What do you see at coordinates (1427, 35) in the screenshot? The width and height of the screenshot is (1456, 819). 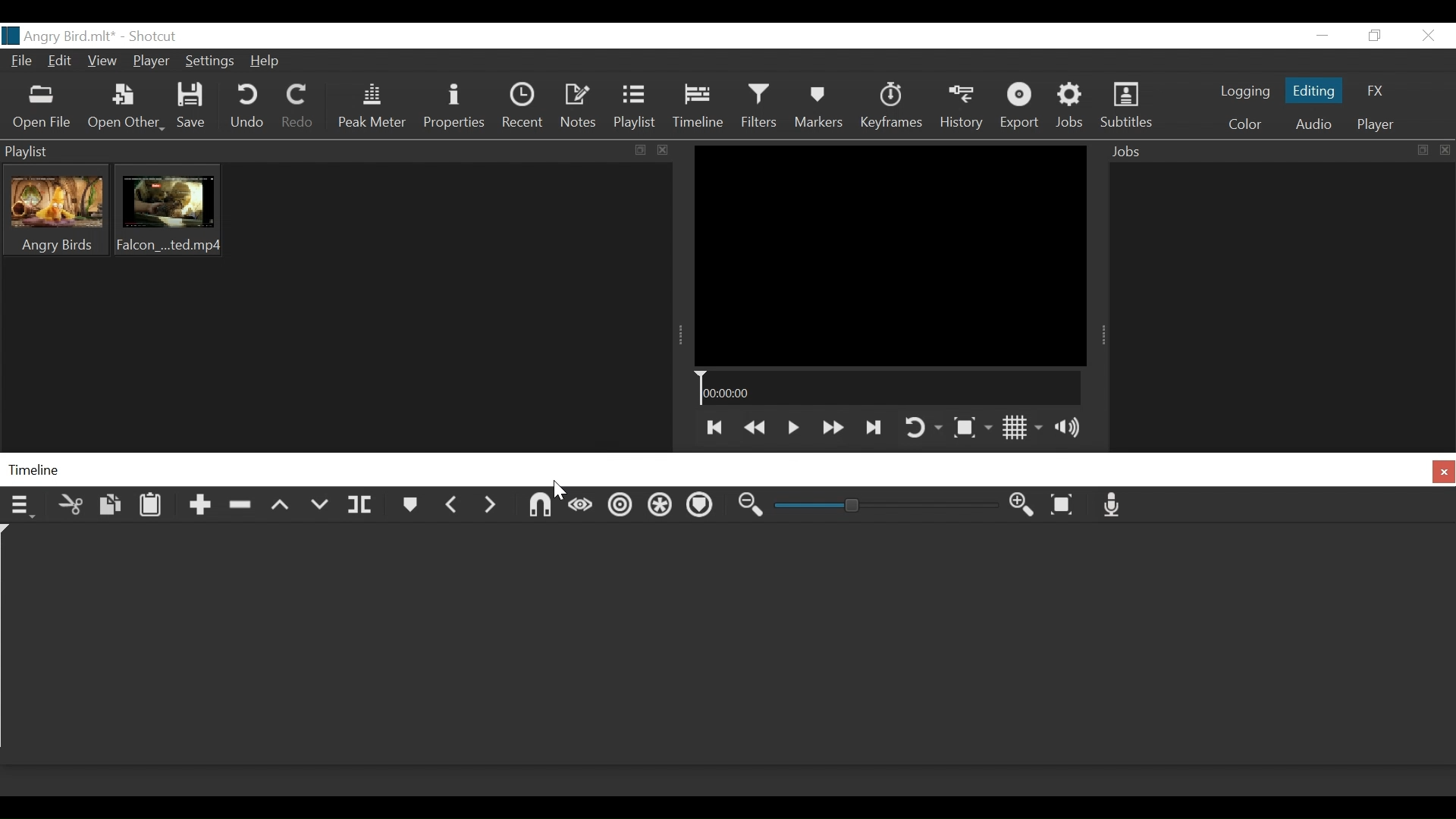 I see `Close` at bounding box center [1427, 35].